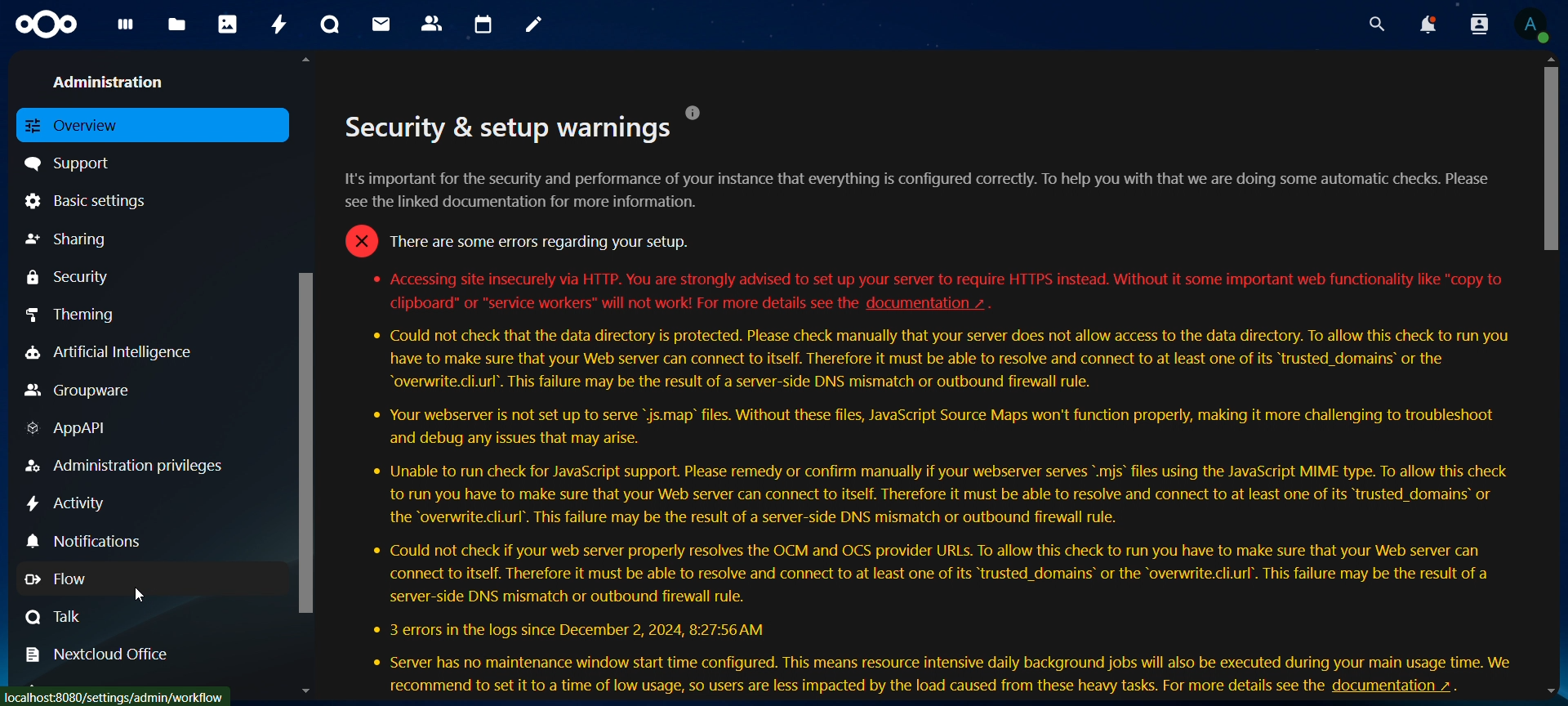 The image size is (1568, 706). Describe the element at coordinates (74, 162) in the screenshot. I see `support` at that location.